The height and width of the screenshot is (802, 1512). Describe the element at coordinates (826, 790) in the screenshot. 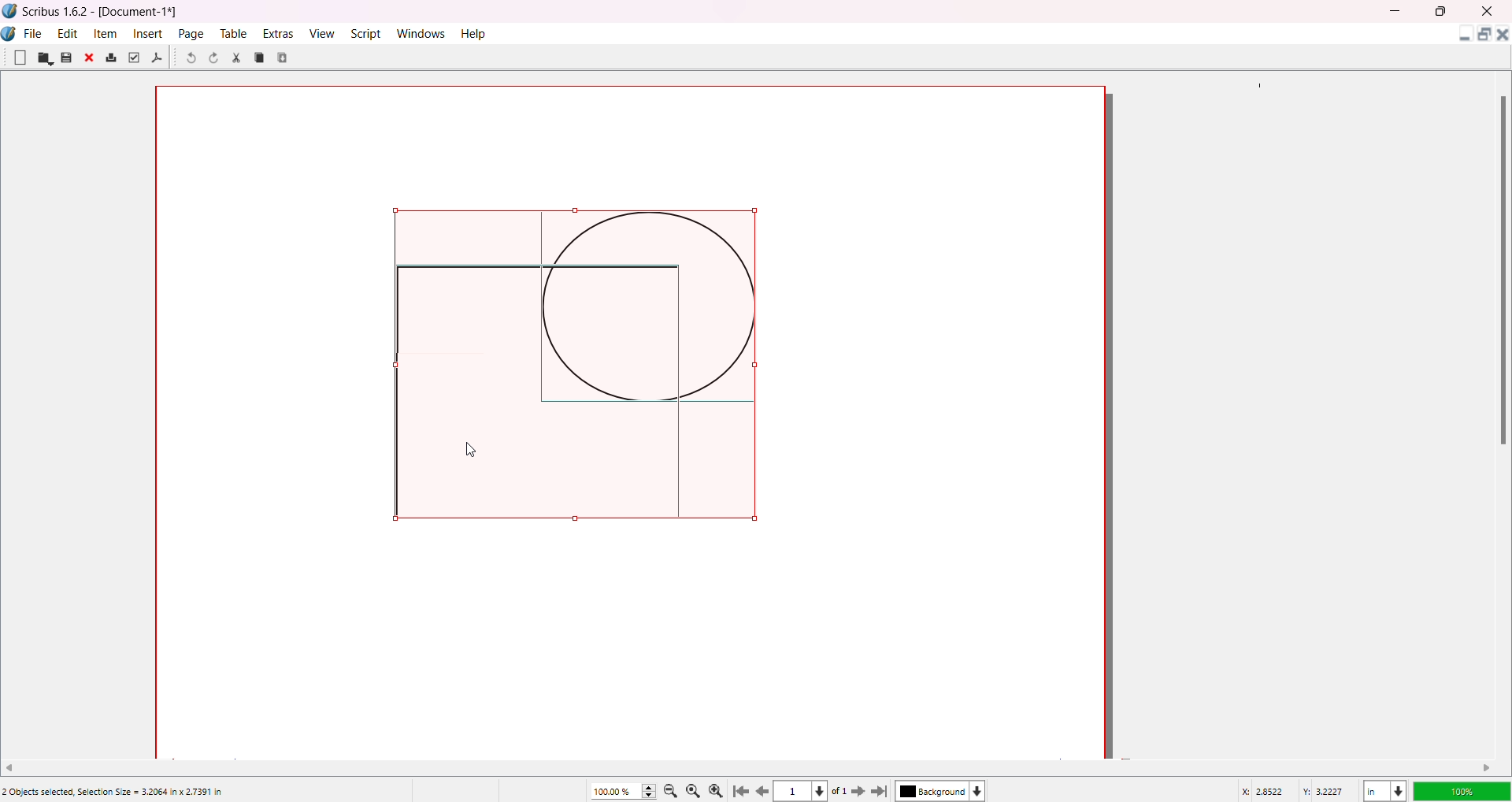

I see `Page dropdown` at that location.